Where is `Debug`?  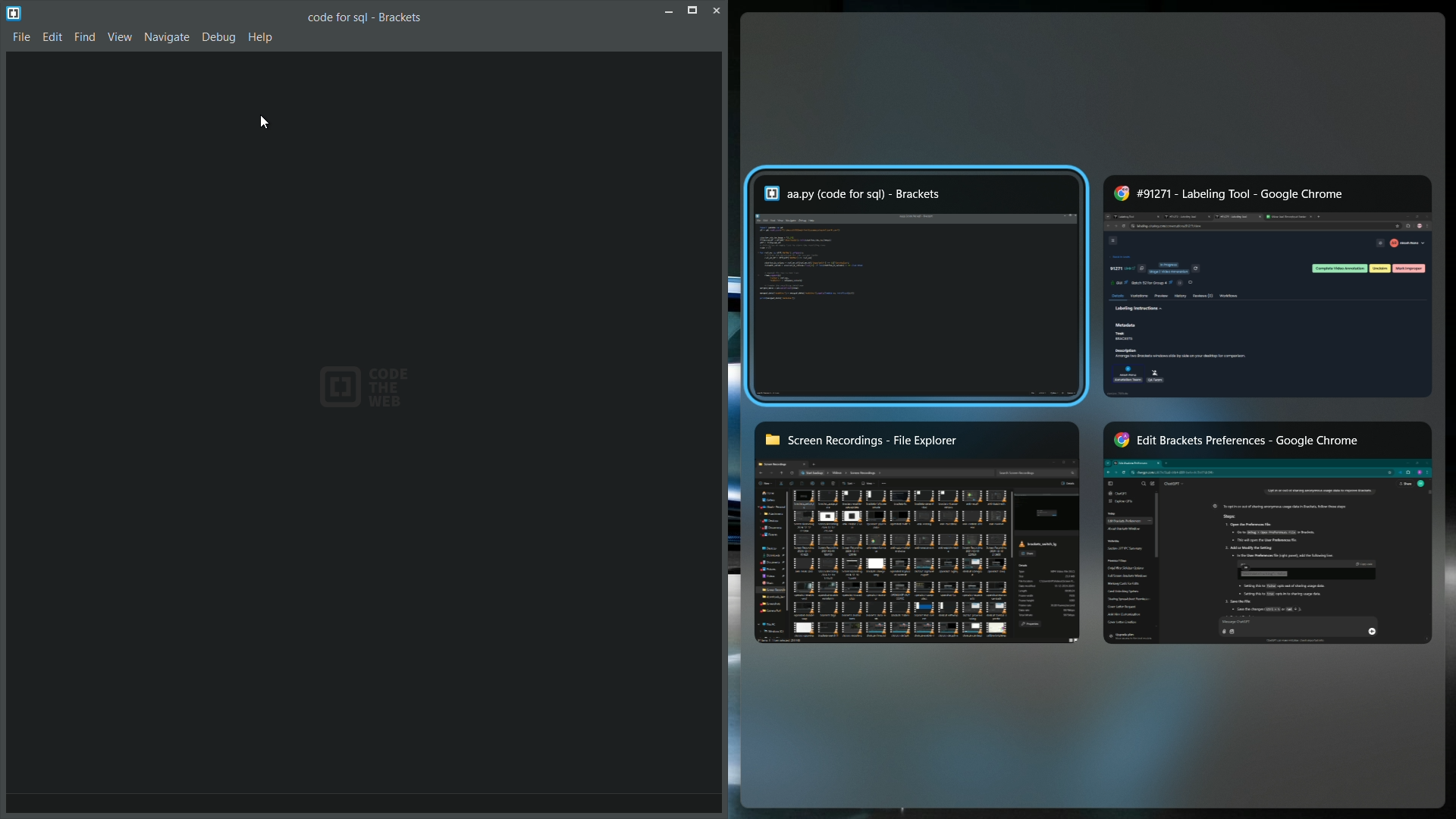
Debug is located at coordinates (220, 37).